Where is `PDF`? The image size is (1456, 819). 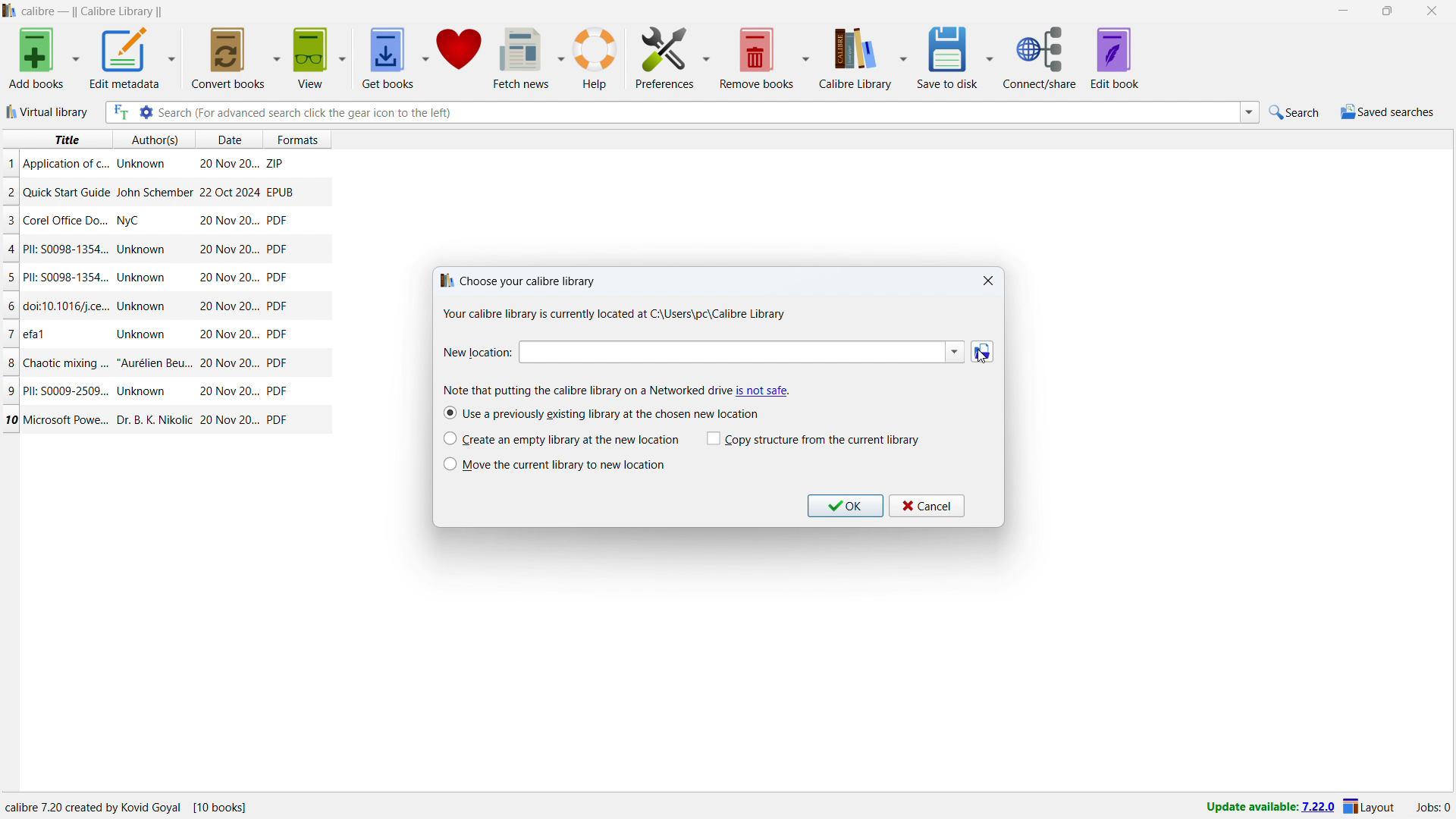 PDF is located at coordinates (277, 278).